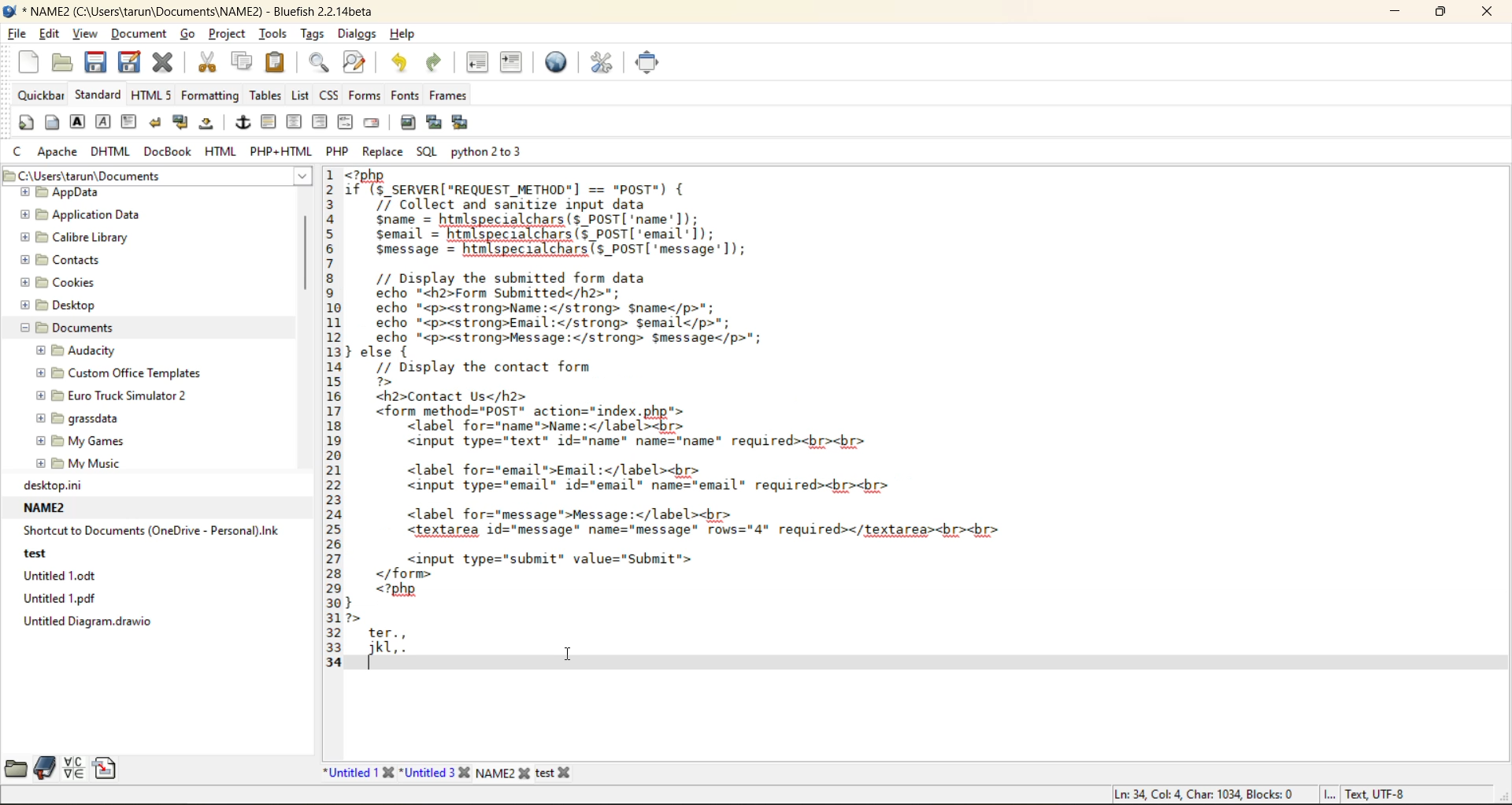 This screenshot has width=1512, height=805. I want to click on Cookies, so click(58, 282).